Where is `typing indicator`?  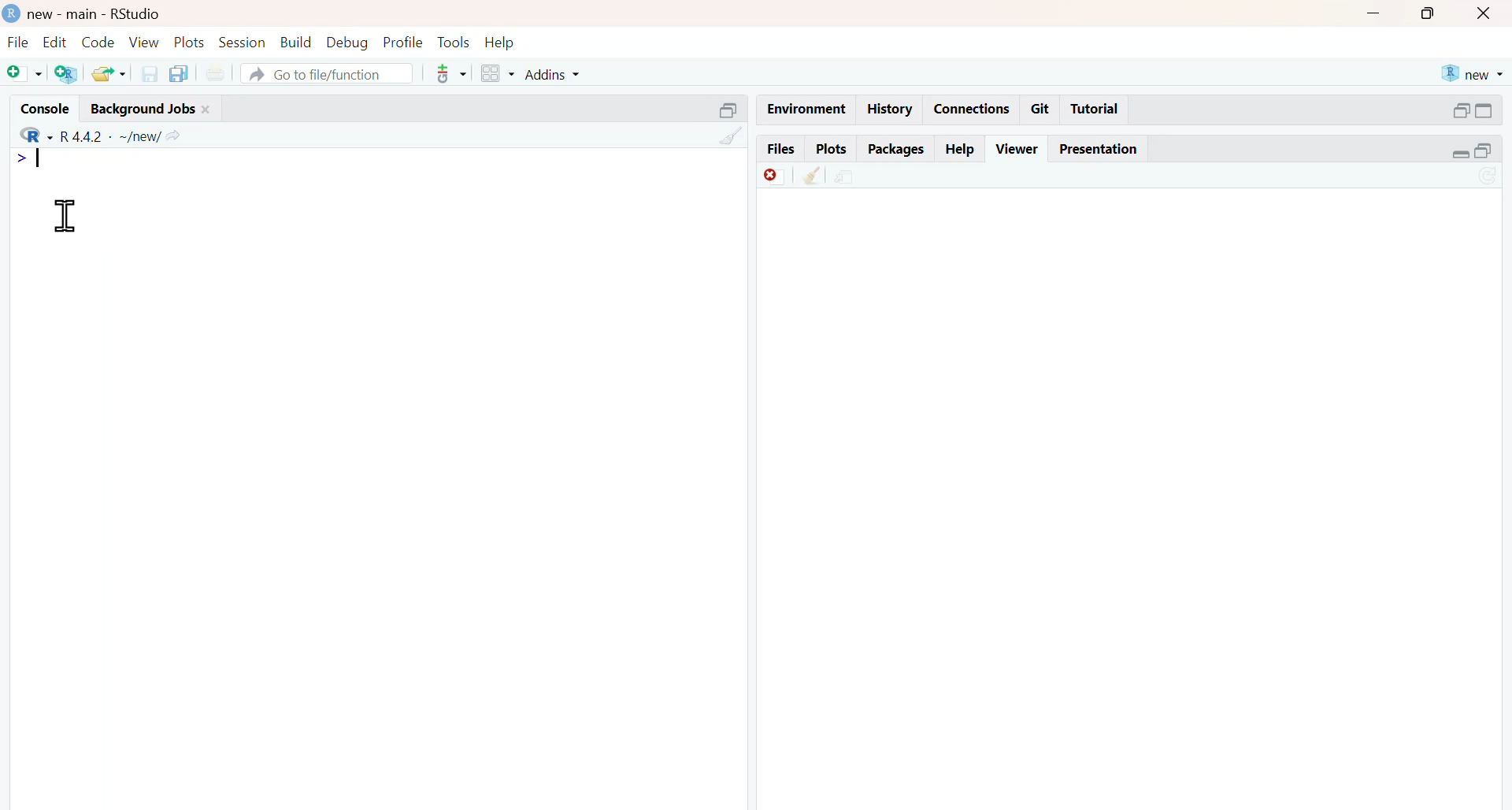 typing indicator is located at coordinates (39, 158).